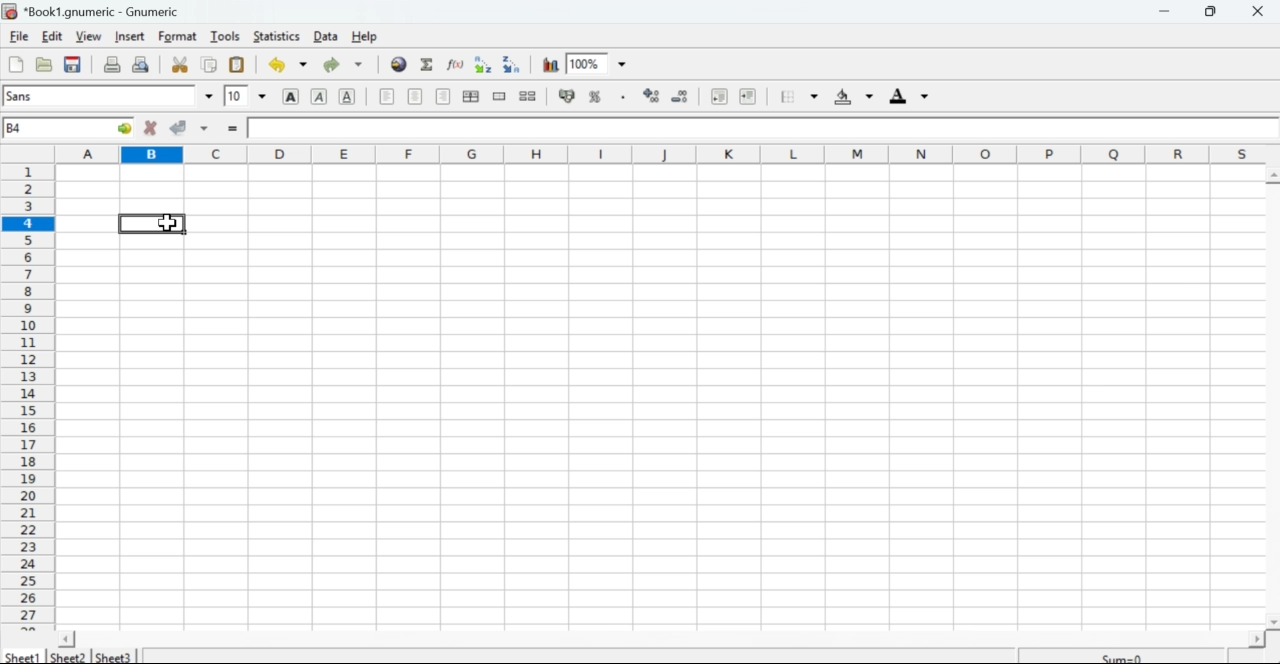 The height and width of the screenshot is (664, 1280). I want to click on Format, so click(174, 37).